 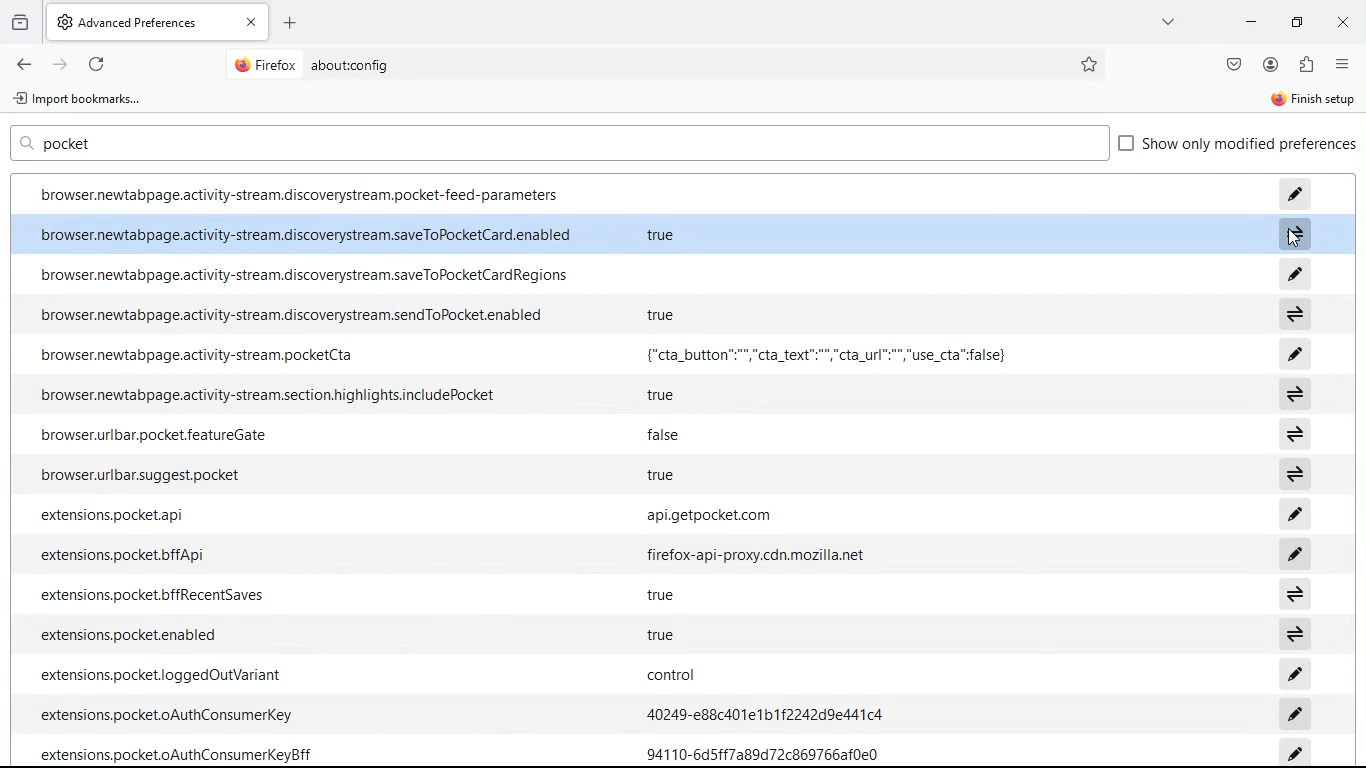 I want to click on browser.newtabpage.activity-stream.section.highlights.includePocket, so click(x=264, y=392).